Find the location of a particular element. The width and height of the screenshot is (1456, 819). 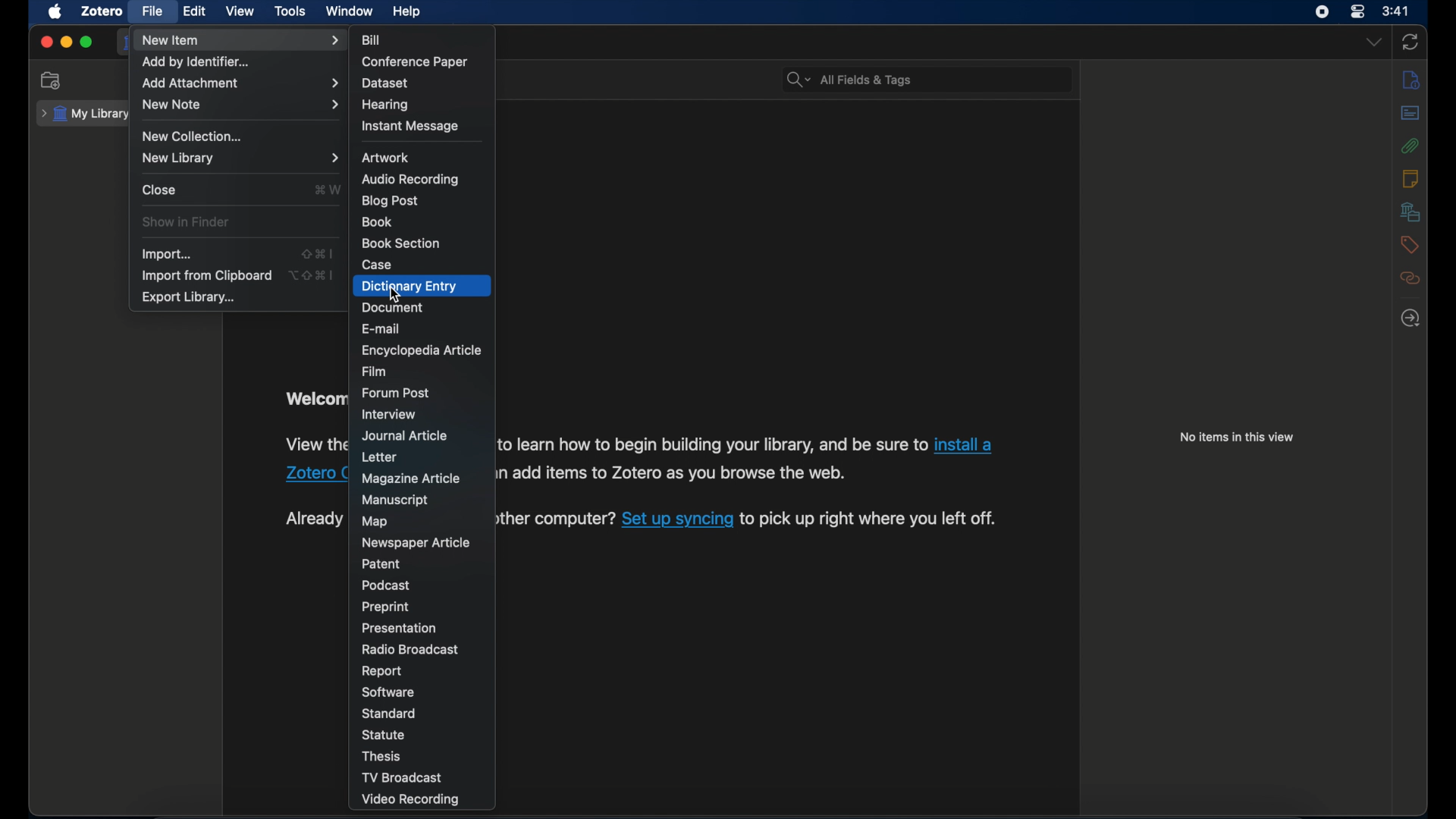

3.41 is located at coordinates (1396, 12).